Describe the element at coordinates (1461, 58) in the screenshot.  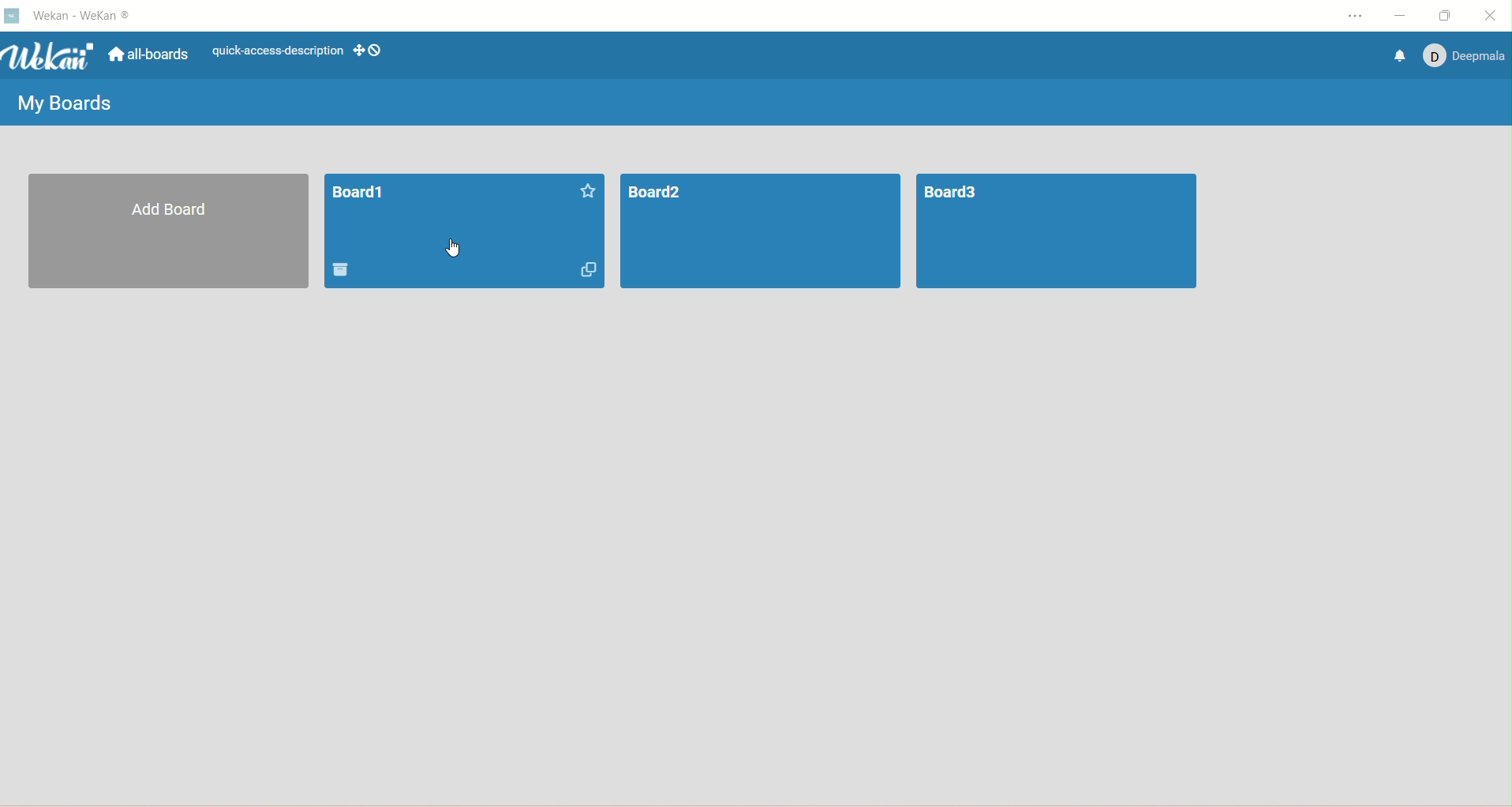
I see `account` at that location.